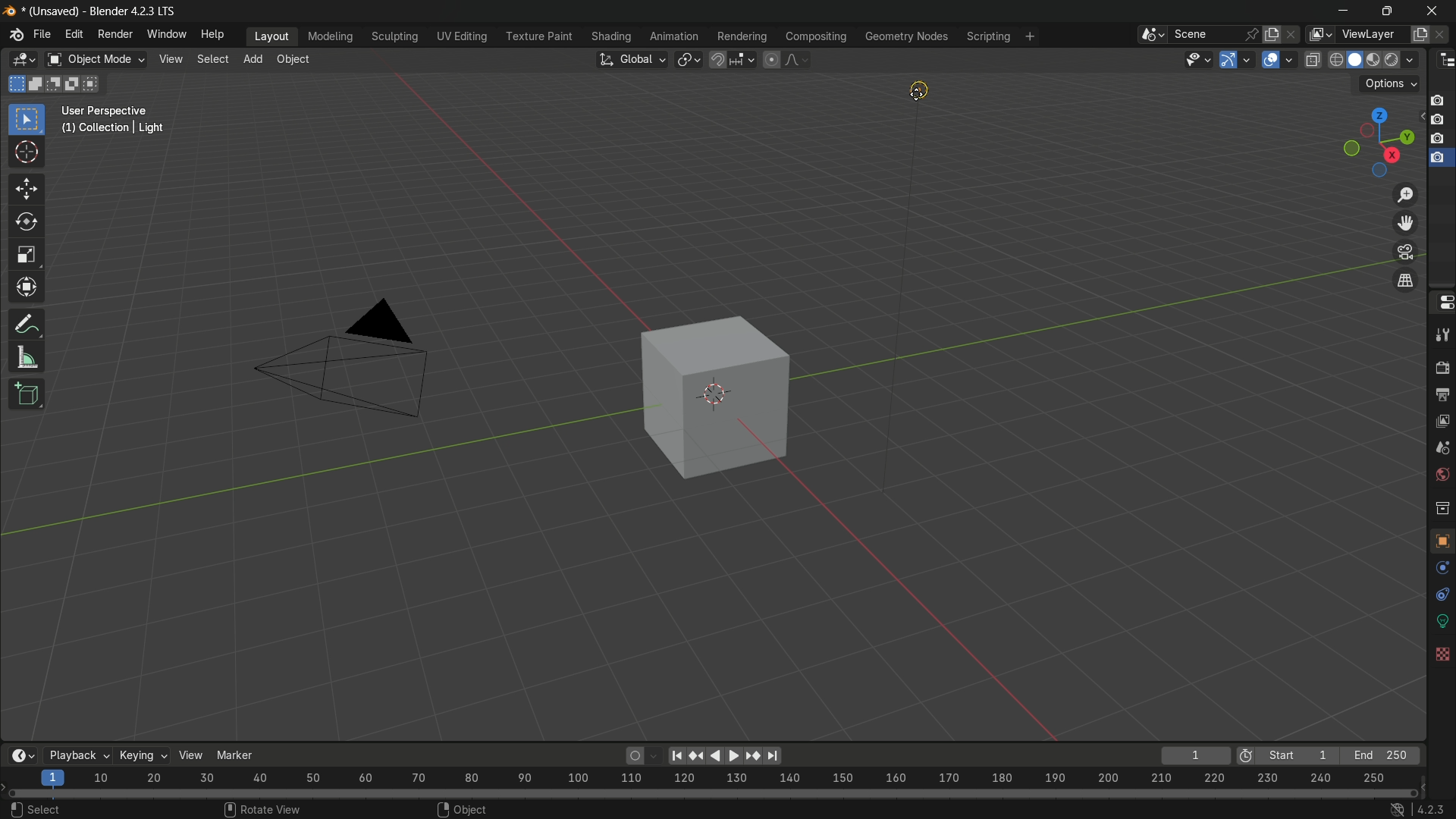 Image resolution: width=1456 pixels, height=819 pixels. What do you see at coordinates (748, 755) in the screenshot?
I see `play animation` at bounding box center [748, 755].